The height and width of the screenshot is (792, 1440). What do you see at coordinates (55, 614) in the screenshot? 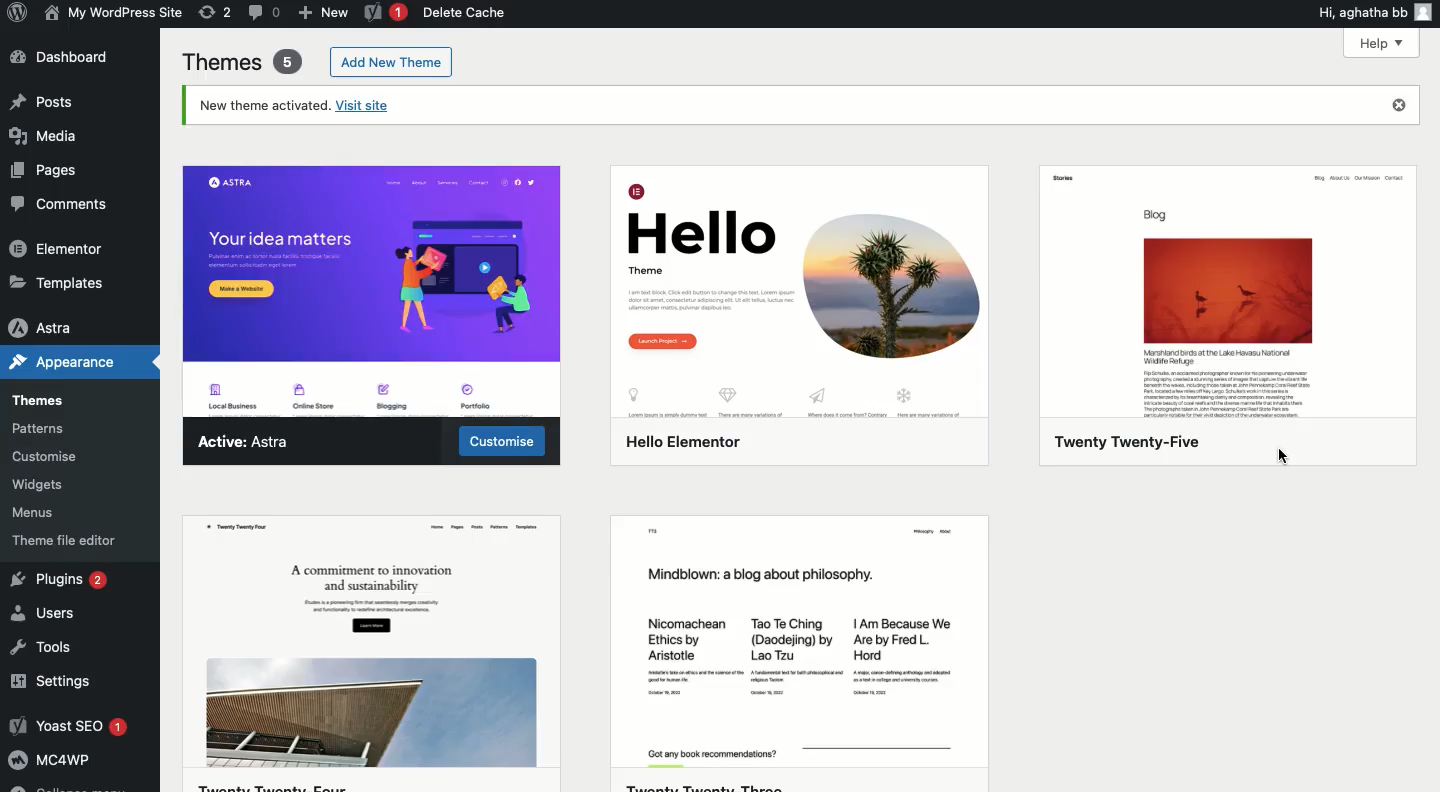
I see `Users` at bounding box center [55, 614].